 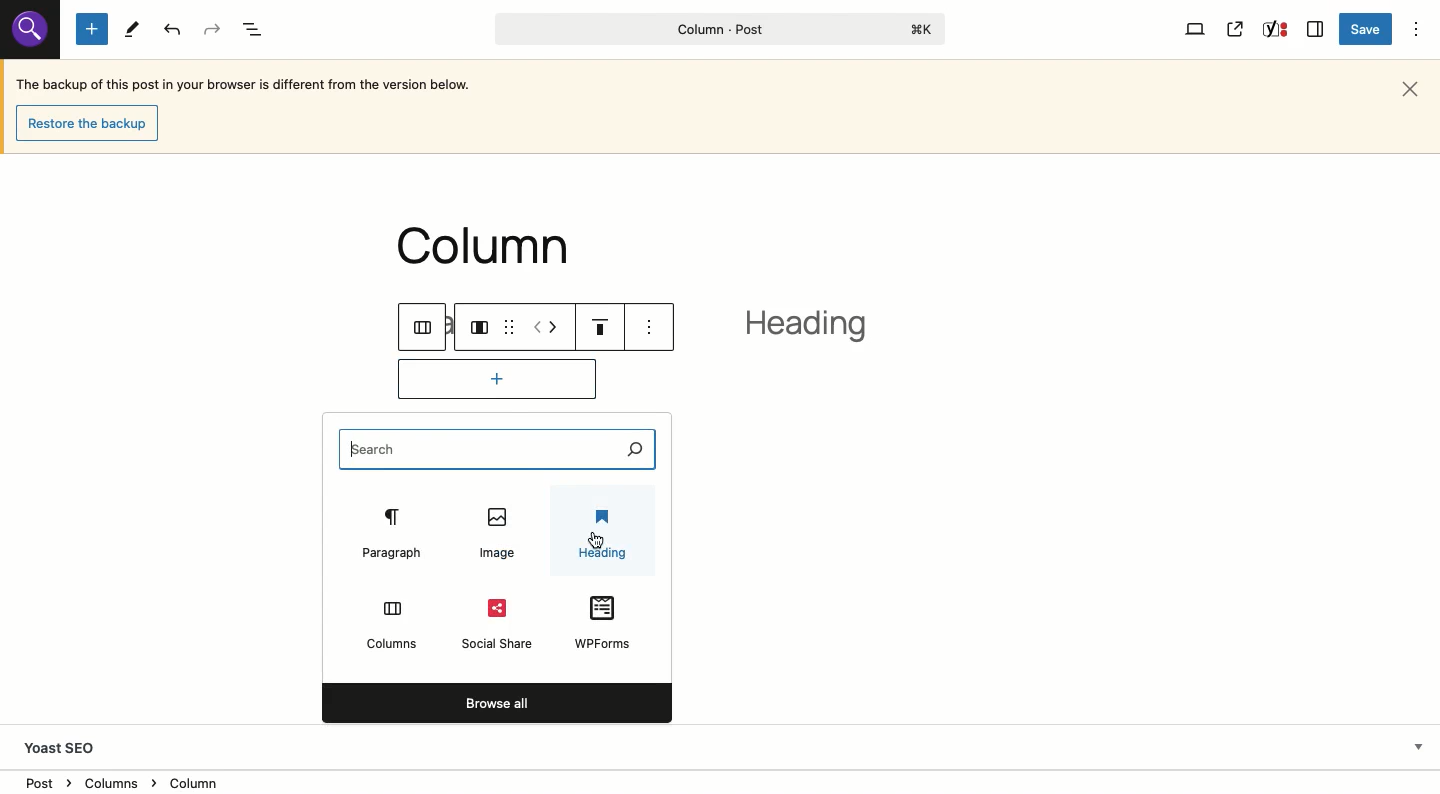 What do you see at coordinates (601, 536) in the screenshot?
I see `Heading` at bounding box center [601, 536].